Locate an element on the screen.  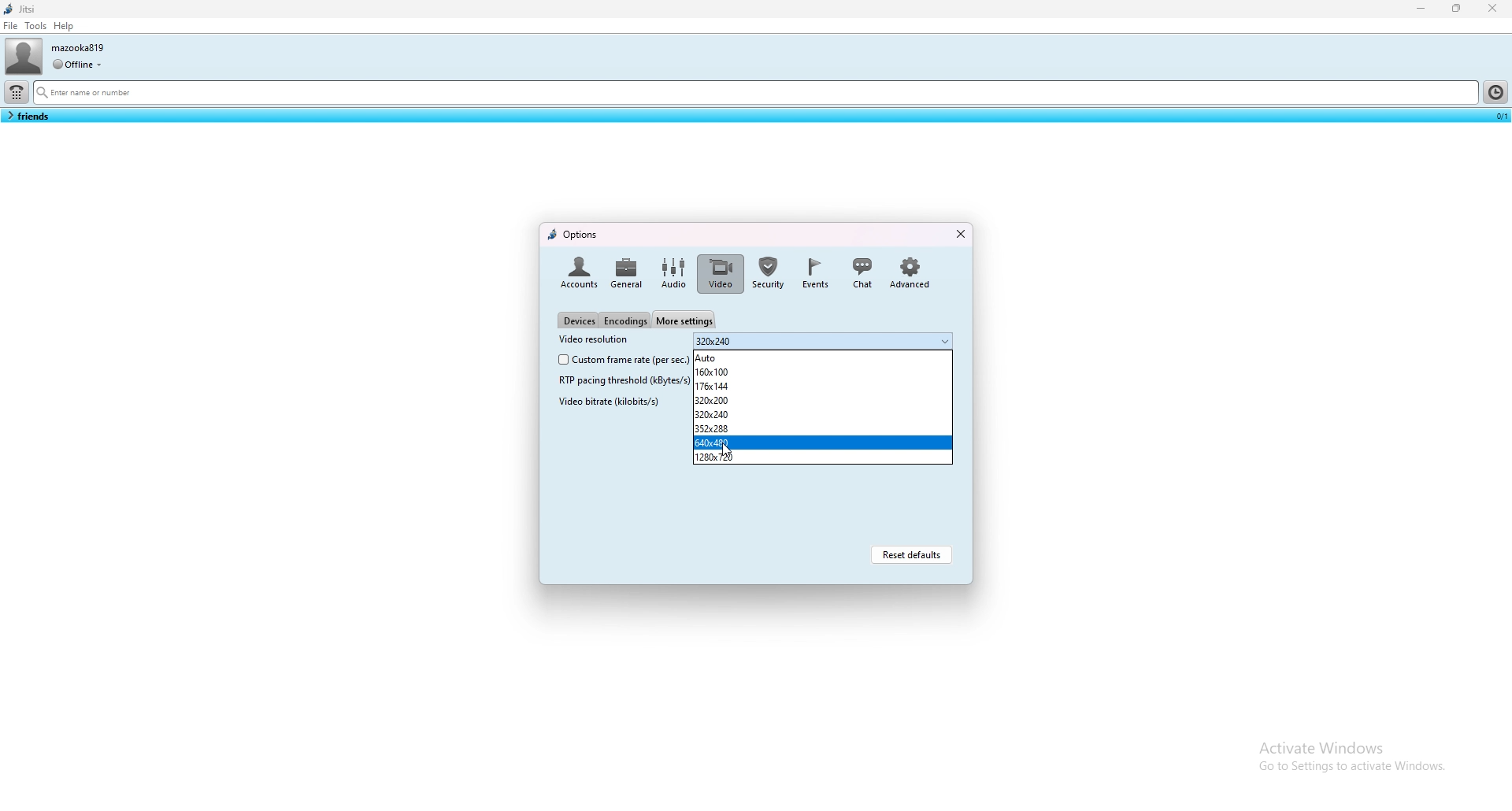
640 by 480 is located at coordinates (821, 443).